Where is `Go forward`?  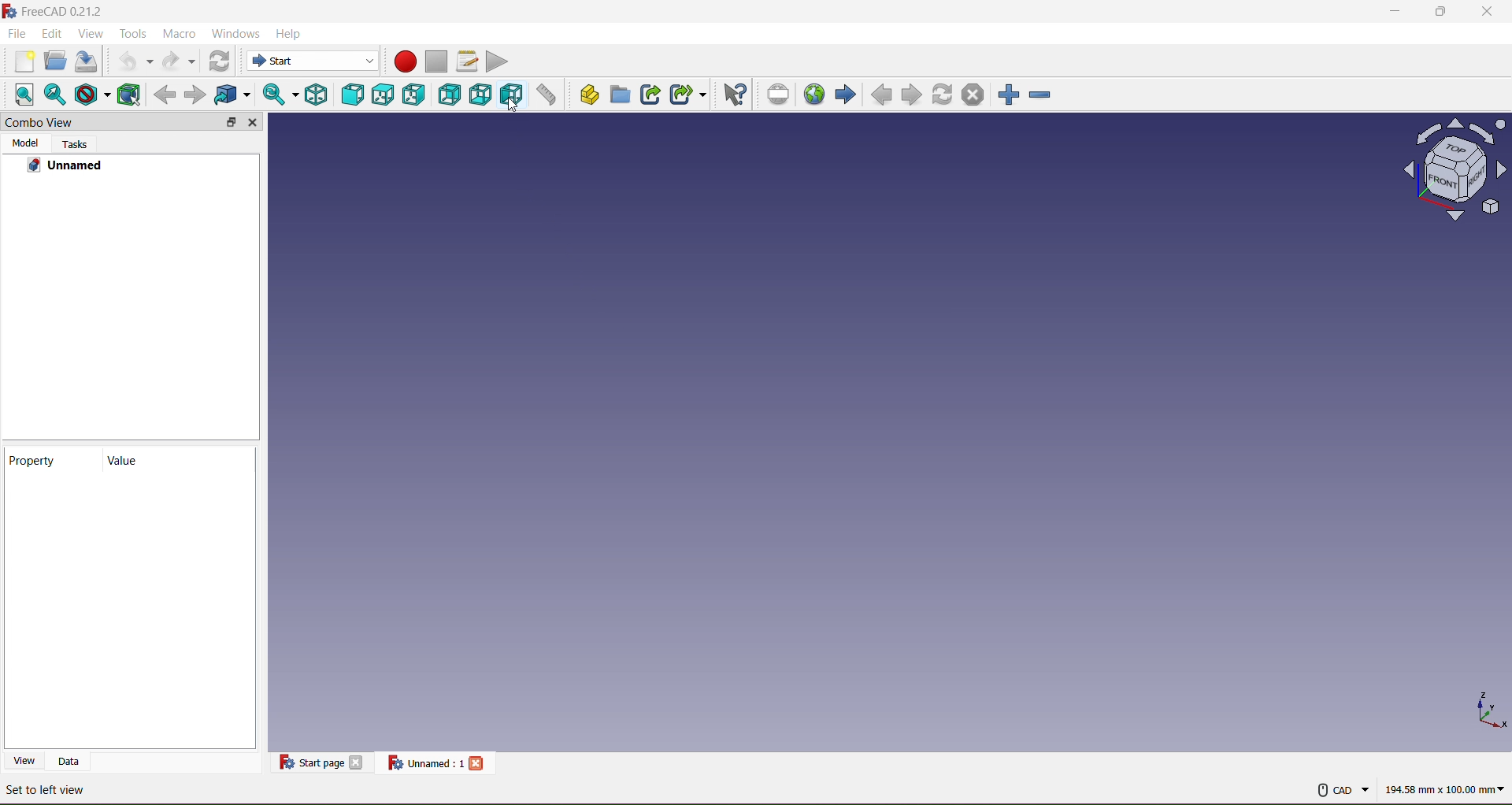 Go forward is located at coordinates (196, 96).